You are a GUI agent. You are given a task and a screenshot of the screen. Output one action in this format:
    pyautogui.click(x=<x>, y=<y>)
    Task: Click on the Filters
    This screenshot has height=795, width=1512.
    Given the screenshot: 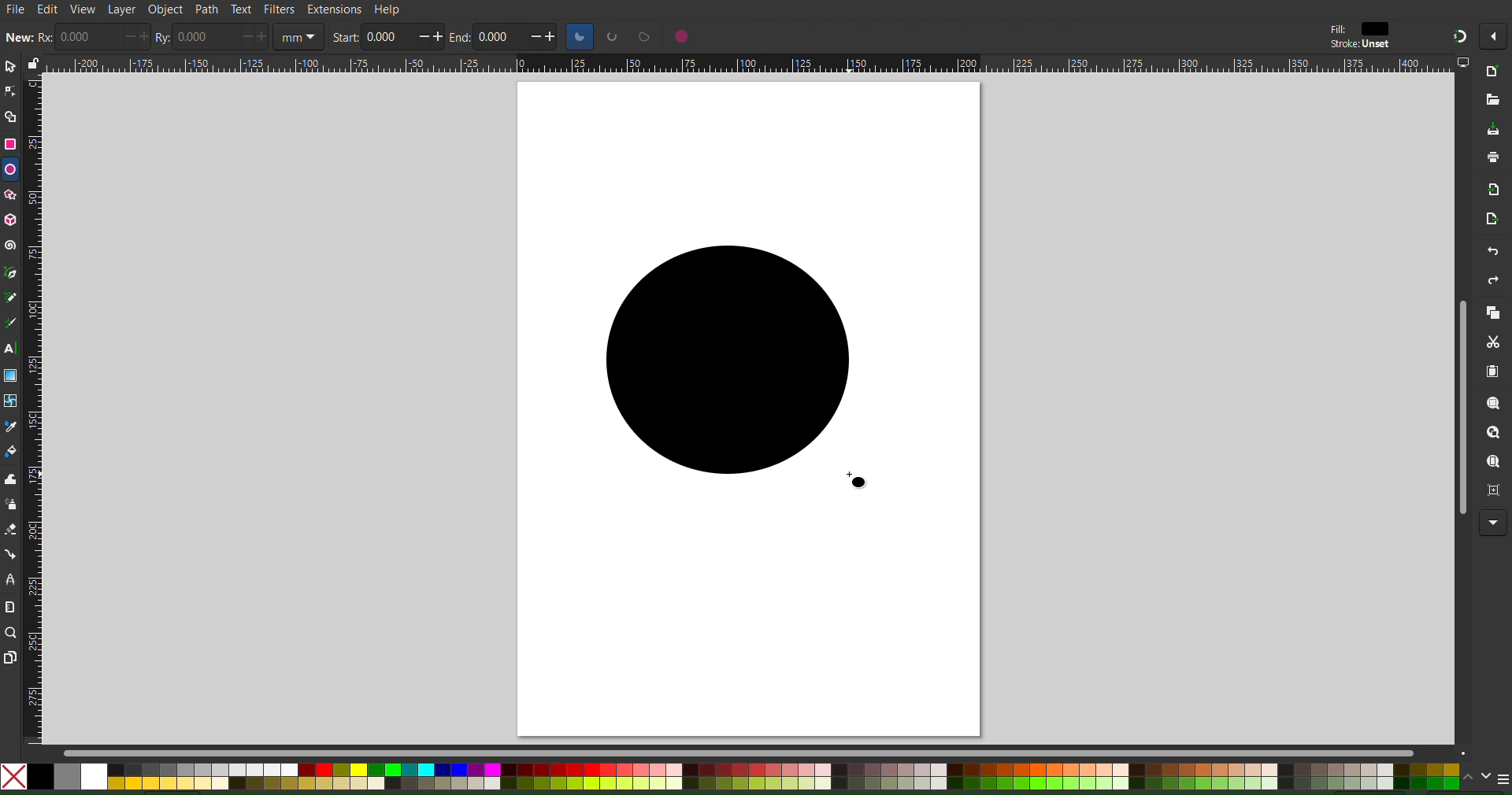 What is the action you would take?
    pyautogui.click(x=278, y=9)
    